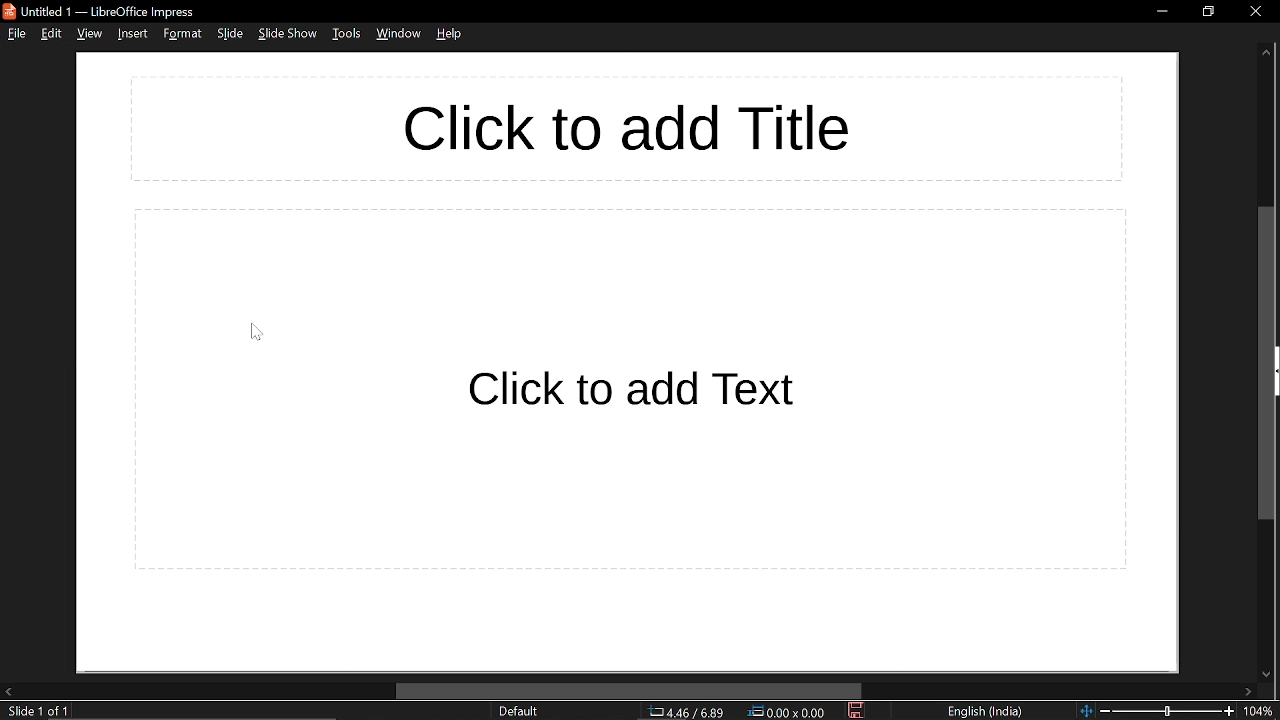 Image resolution: width=1280 pixels, height=720 pixels. I want to click on co-ordinate, so click(684, 713).